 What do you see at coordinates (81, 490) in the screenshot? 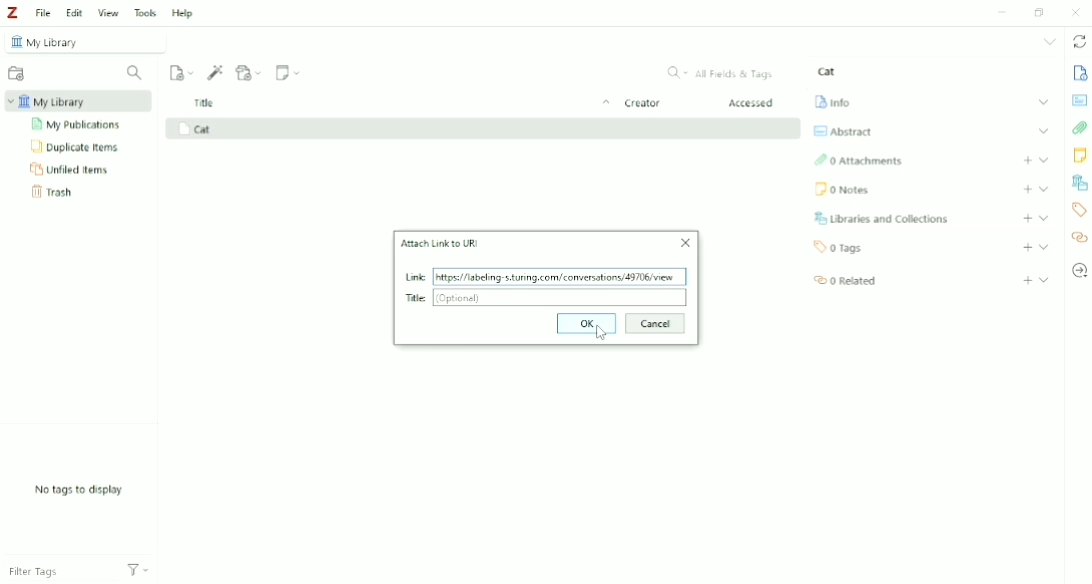
I see `No tags to display` at bounding box center [81, 490].